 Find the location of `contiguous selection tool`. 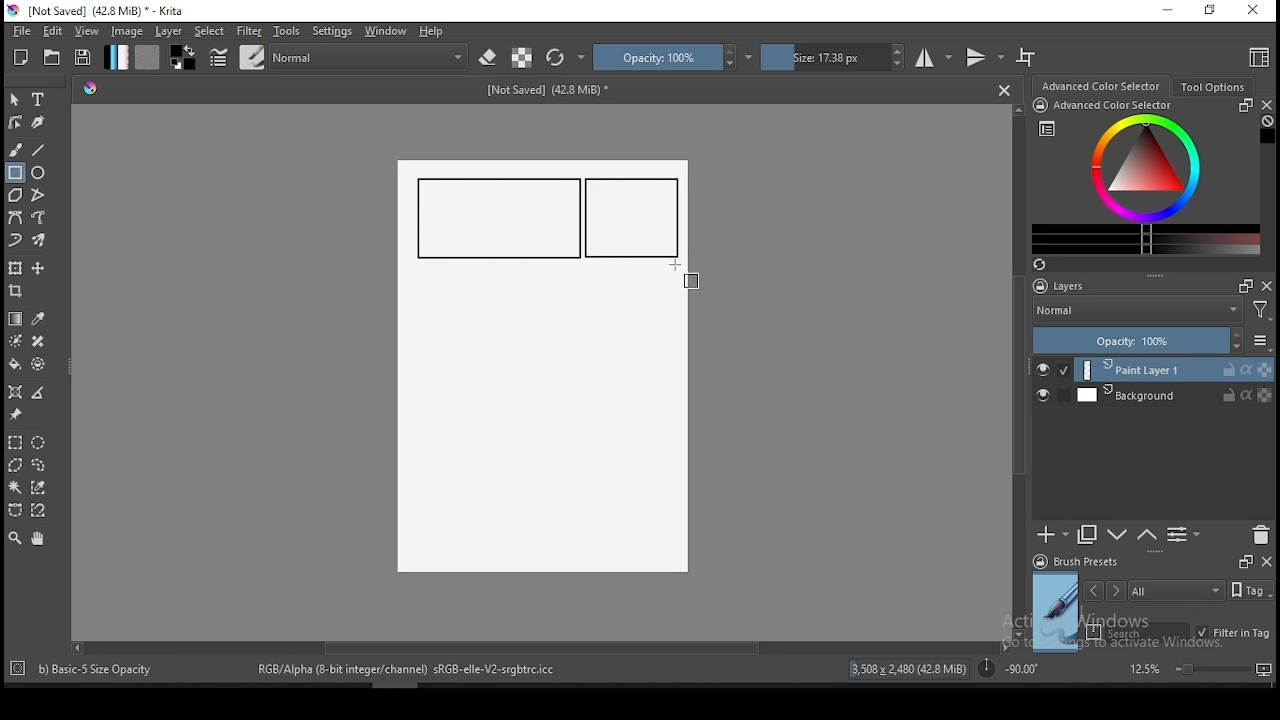

contiguous selection tool is located at coordinates (16, 489).